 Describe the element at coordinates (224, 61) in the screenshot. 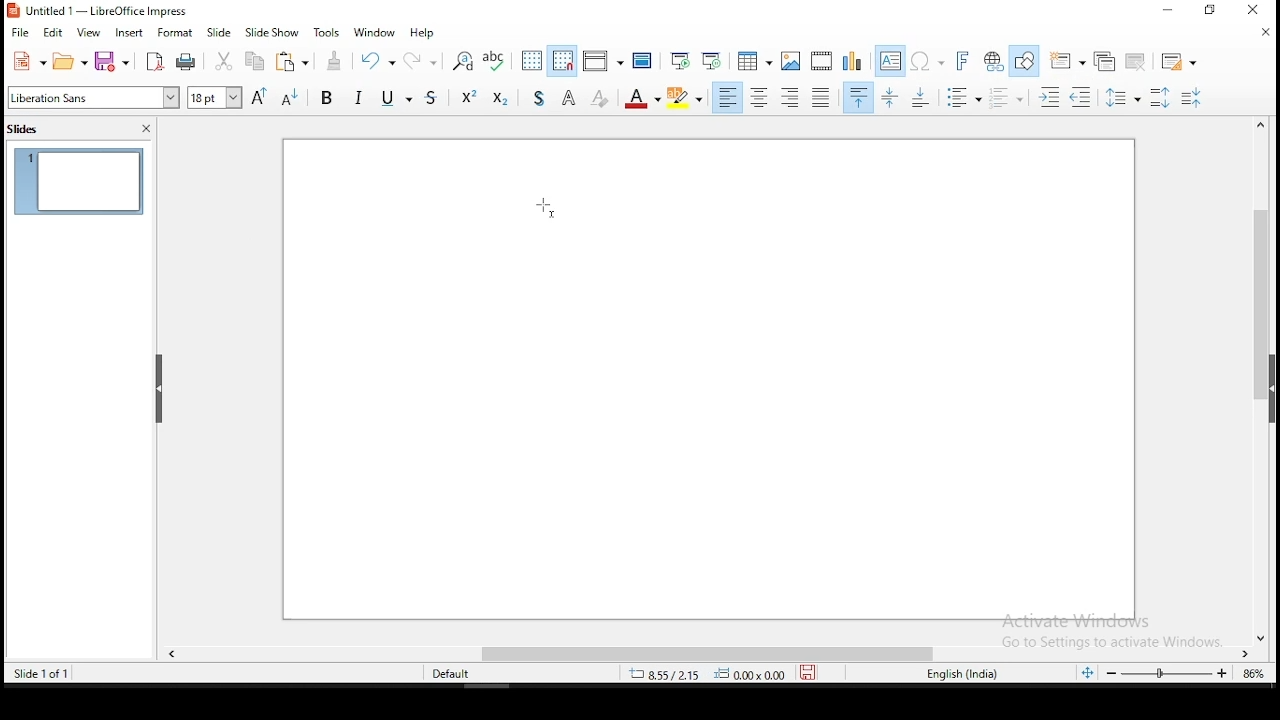

I see `cut` at that location.